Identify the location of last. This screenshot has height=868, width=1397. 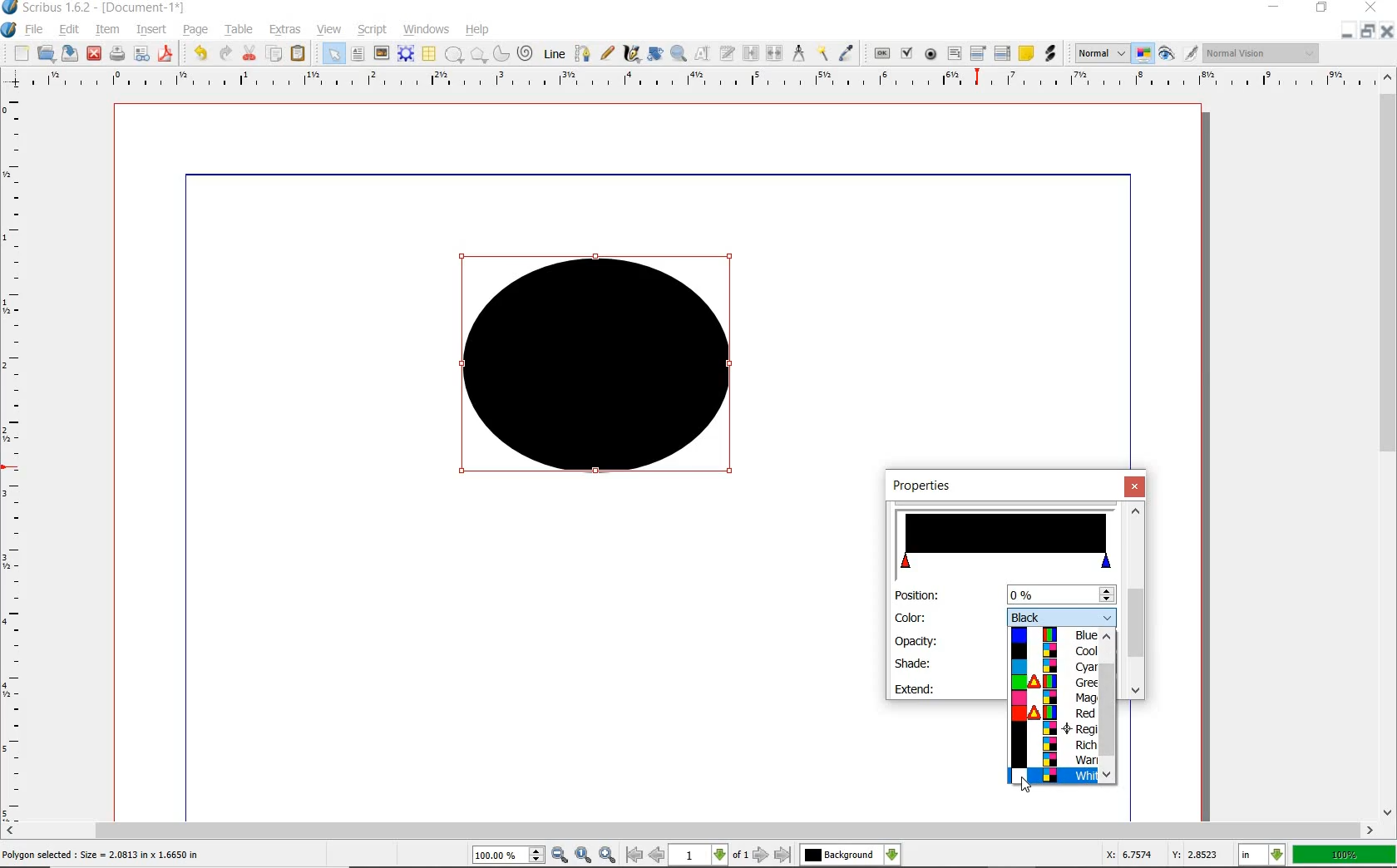
(782, 856).